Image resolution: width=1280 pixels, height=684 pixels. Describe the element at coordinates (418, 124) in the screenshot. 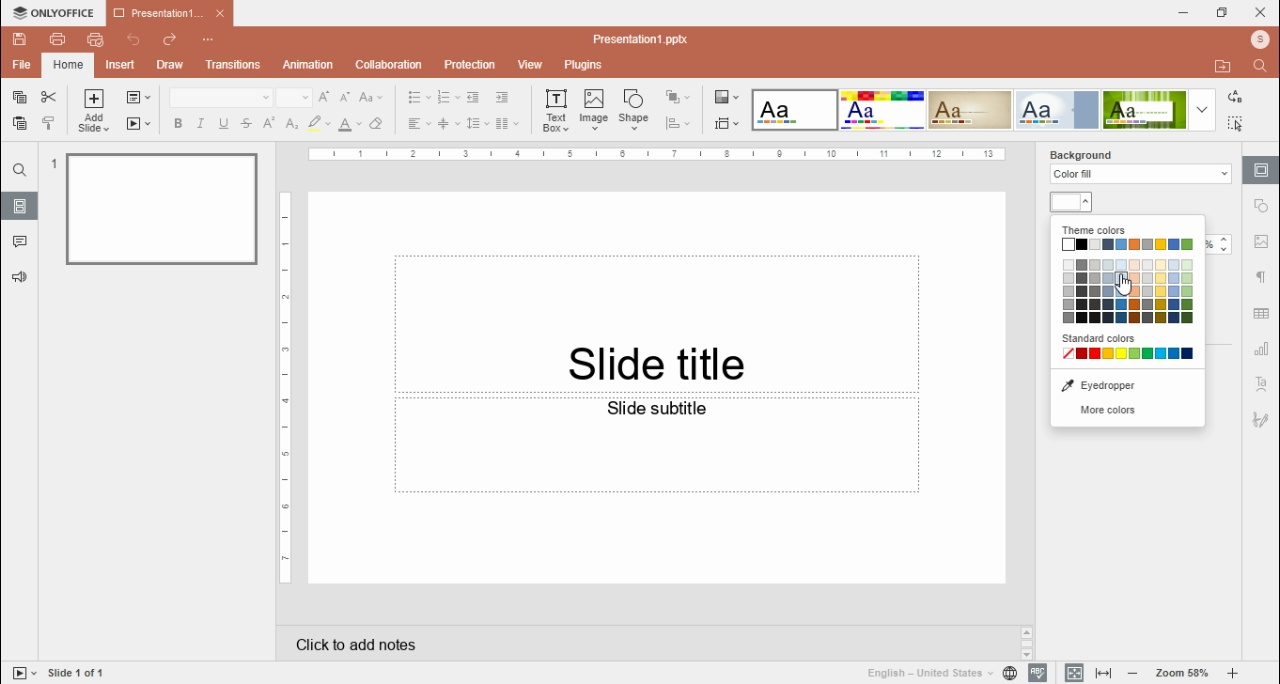

I see `horizontal align` at that location.